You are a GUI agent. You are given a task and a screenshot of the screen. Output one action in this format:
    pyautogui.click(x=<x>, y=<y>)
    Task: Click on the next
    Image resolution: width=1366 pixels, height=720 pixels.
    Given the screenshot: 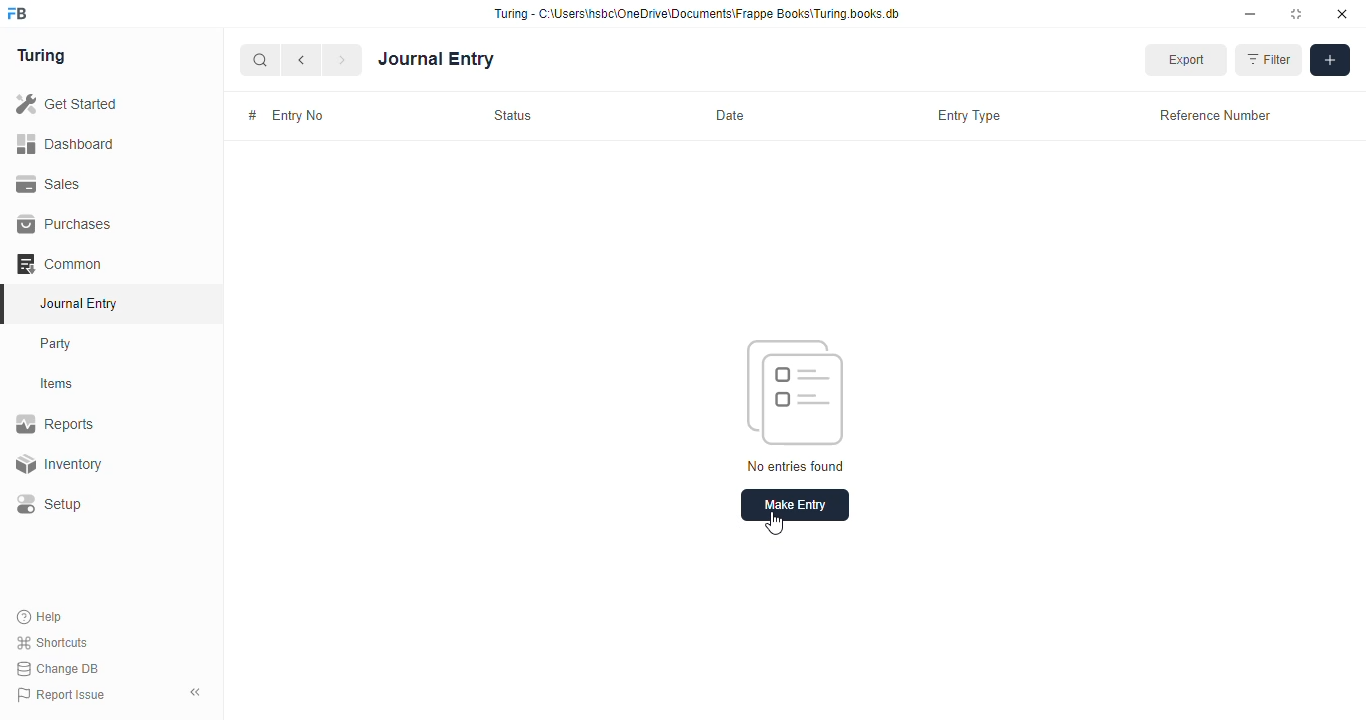 What is the action you would take?
    pyautogui.click(x=344, y=60)
    